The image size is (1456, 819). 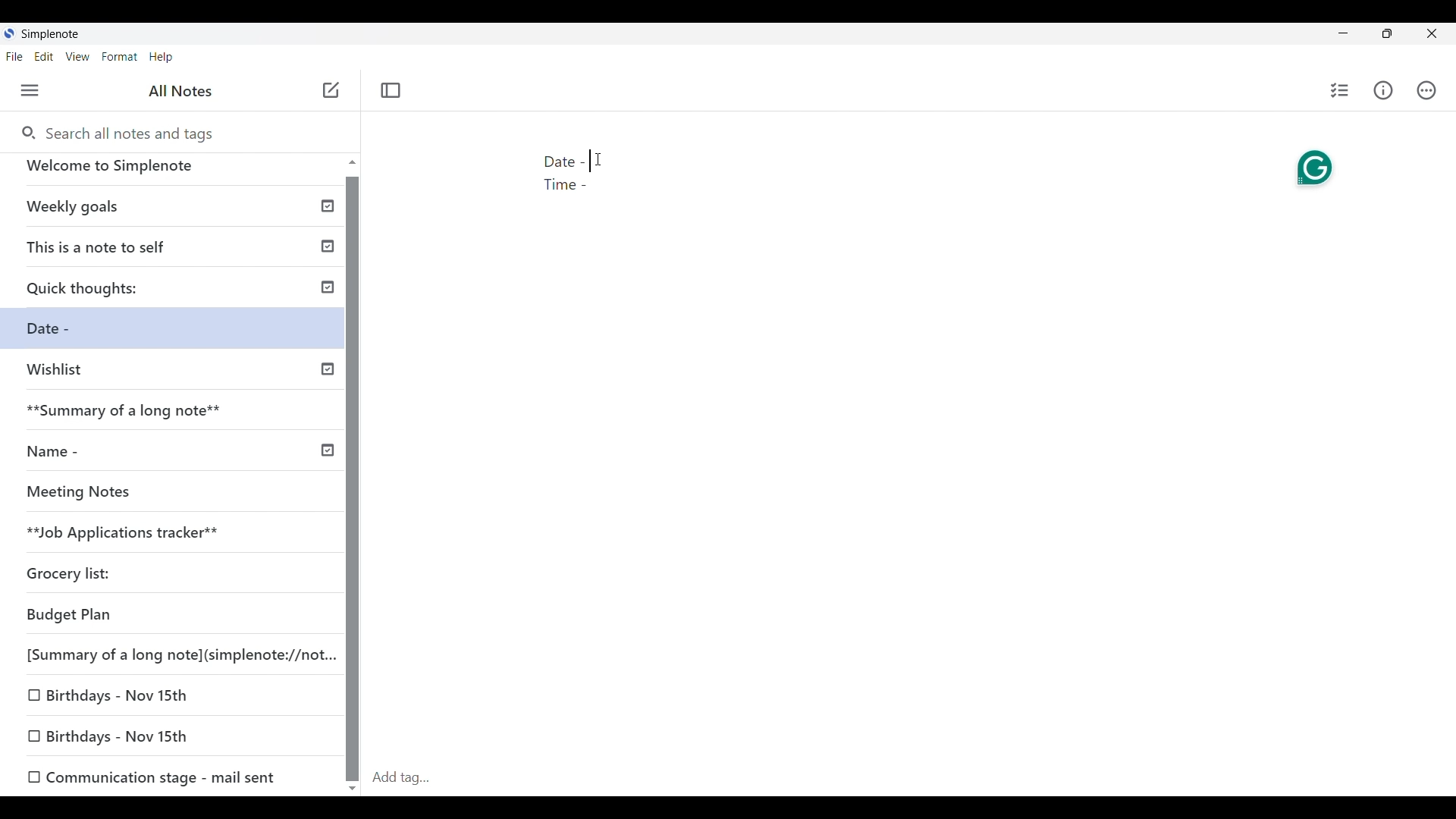 I want to click on Published note indicated by check icon, so click(x=177, y=293).